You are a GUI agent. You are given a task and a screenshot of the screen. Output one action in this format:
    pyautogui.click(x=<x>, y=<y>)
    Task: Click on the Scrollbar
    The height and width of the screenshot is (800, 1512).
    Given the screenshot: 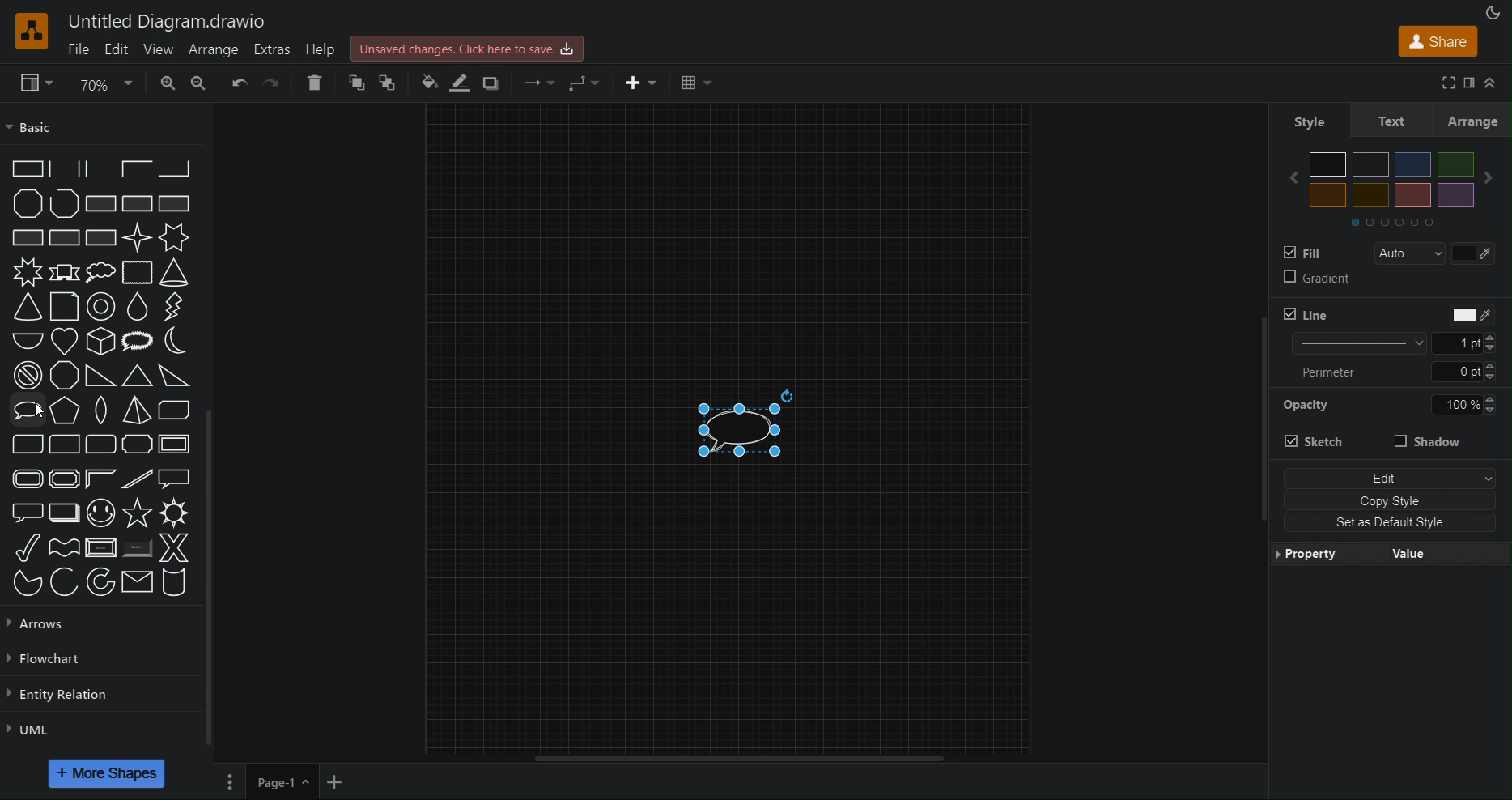 What is the action you would take?
    pyautogui.click(x=738, y=759)
    